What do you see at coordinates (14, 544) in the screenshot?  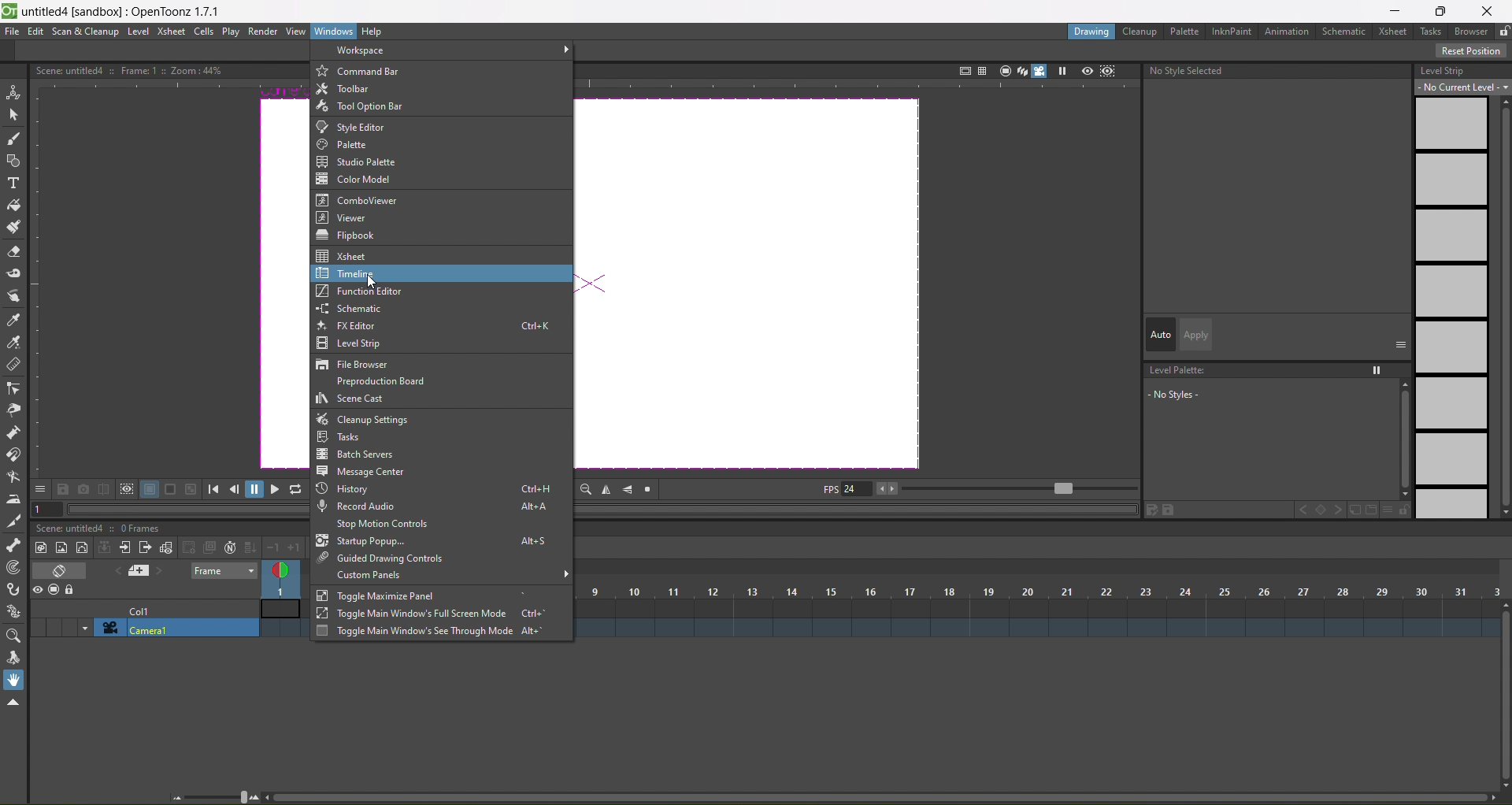 I see `skeleton tool` at bounding box center [14, 544].